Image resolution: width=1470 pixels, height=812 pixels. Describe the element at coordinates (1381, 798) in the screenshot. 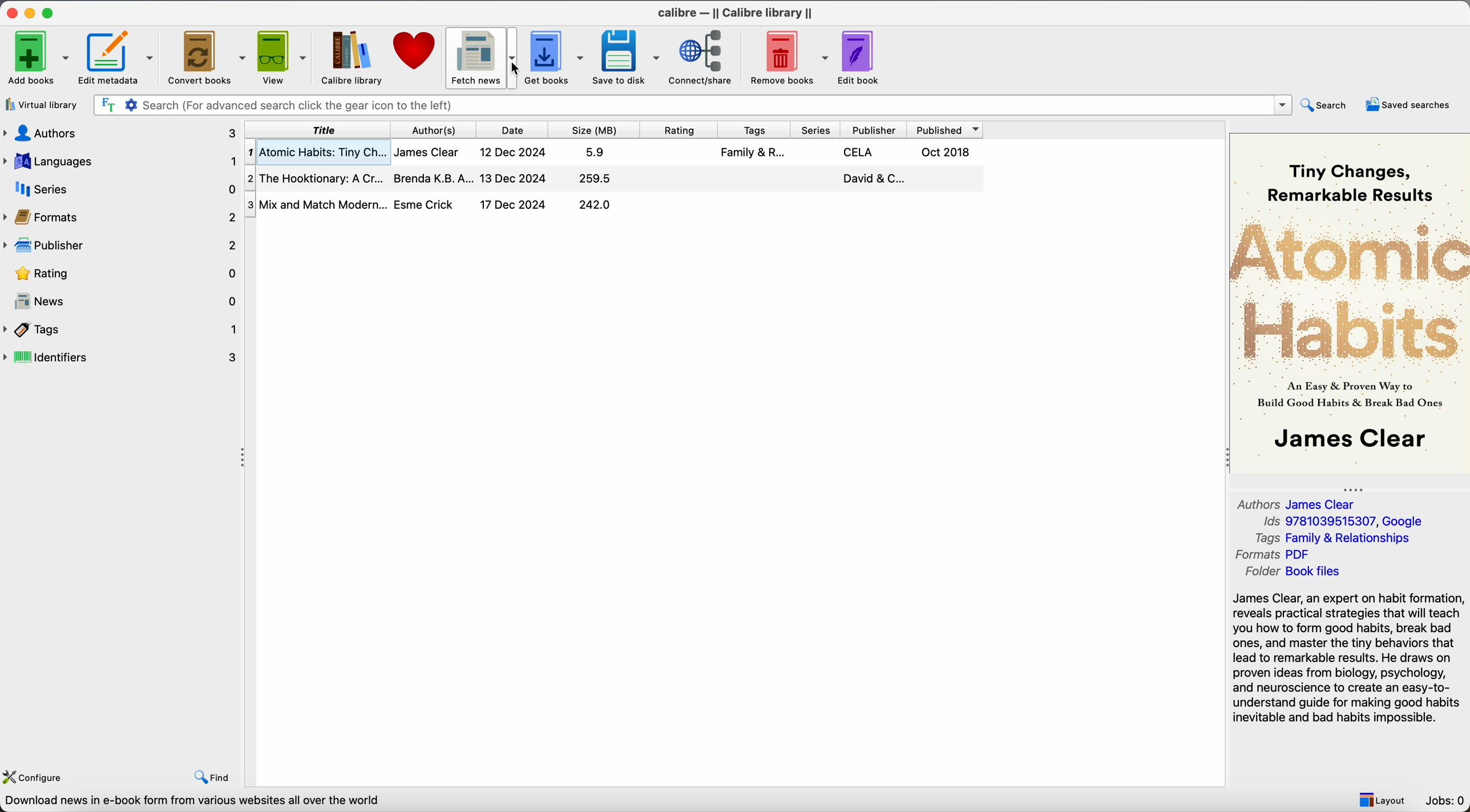

I see `layout` at that location.